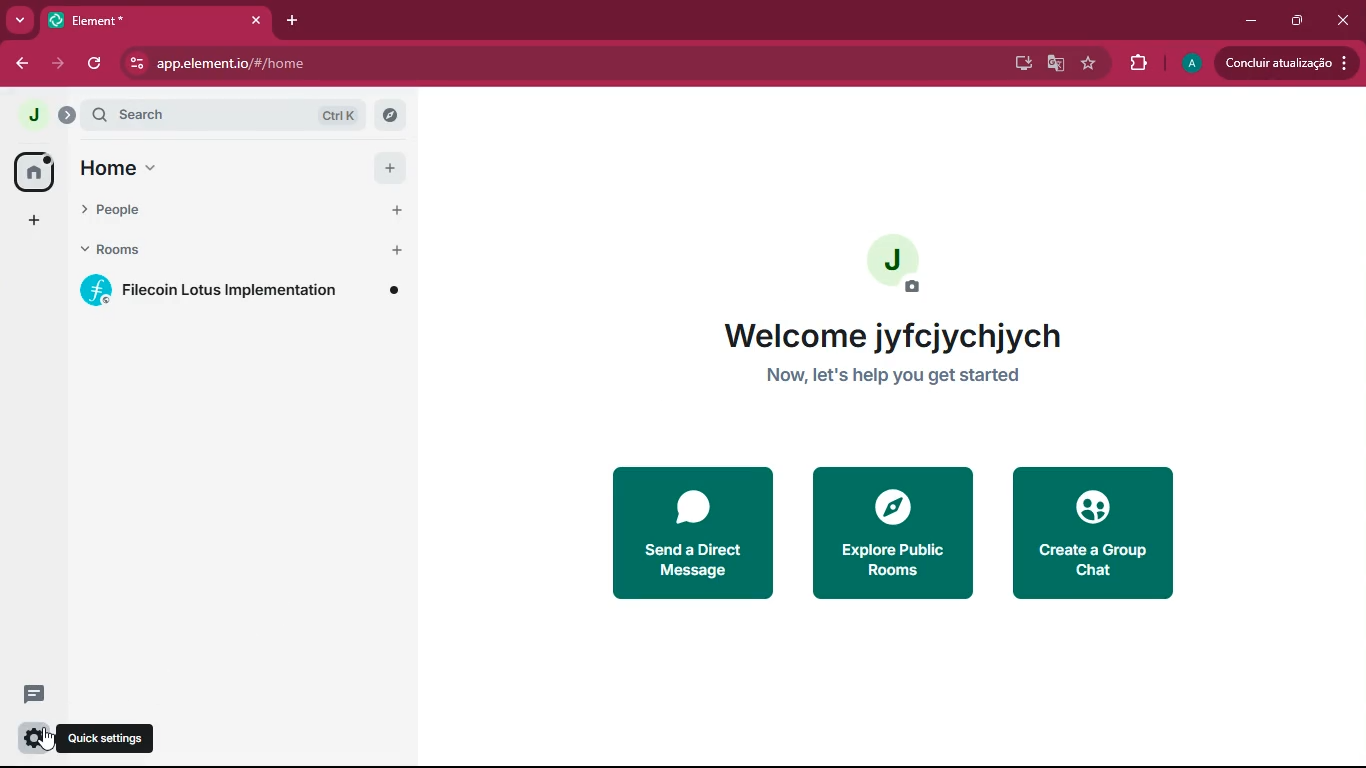 The width and height of the screenshot is (1366, 768). Describe the element at coordinates (56, 64) in the screenshot. I see `forward` at that location.